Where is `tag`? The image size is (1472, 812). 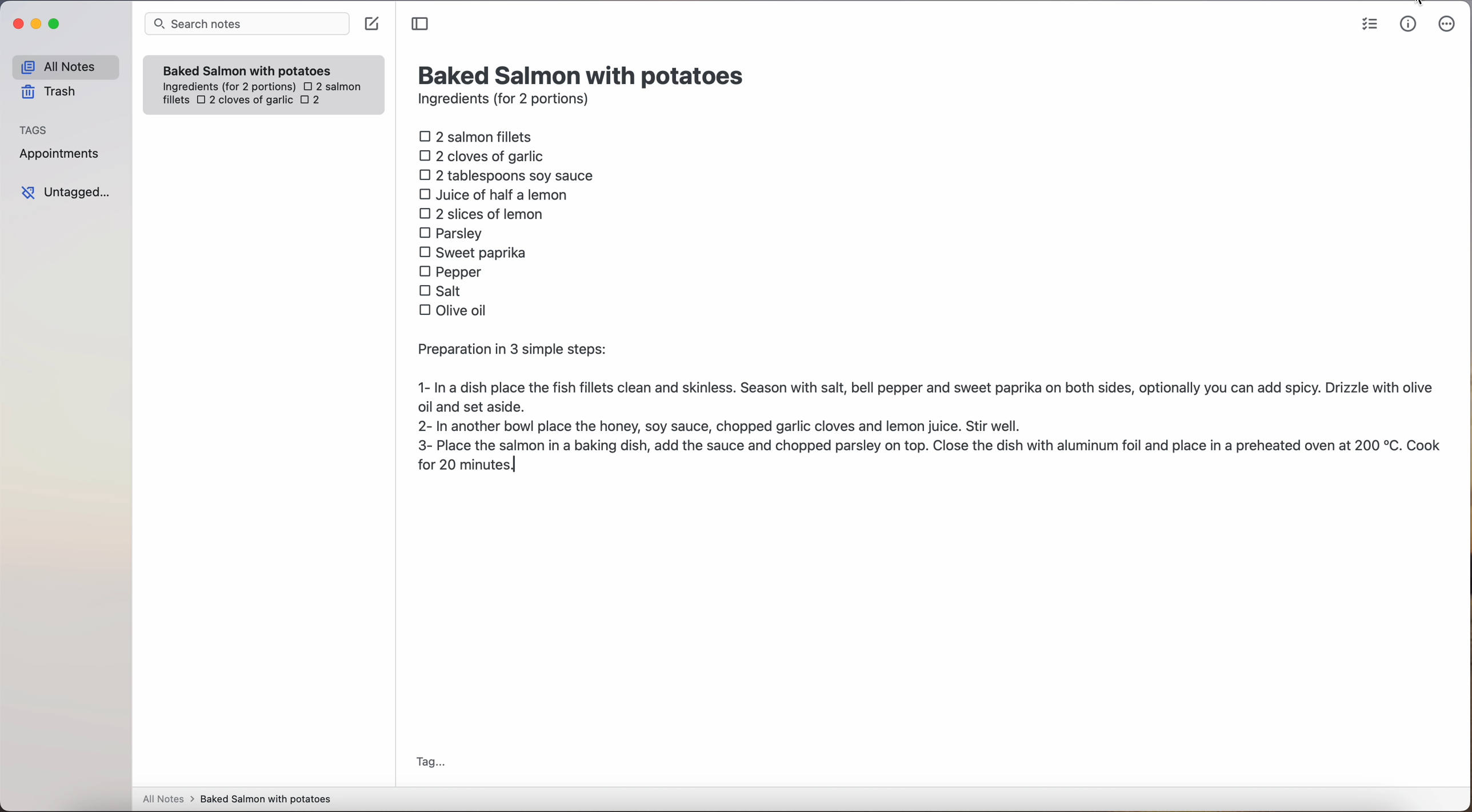 tag is located at coordinates (430, 763).